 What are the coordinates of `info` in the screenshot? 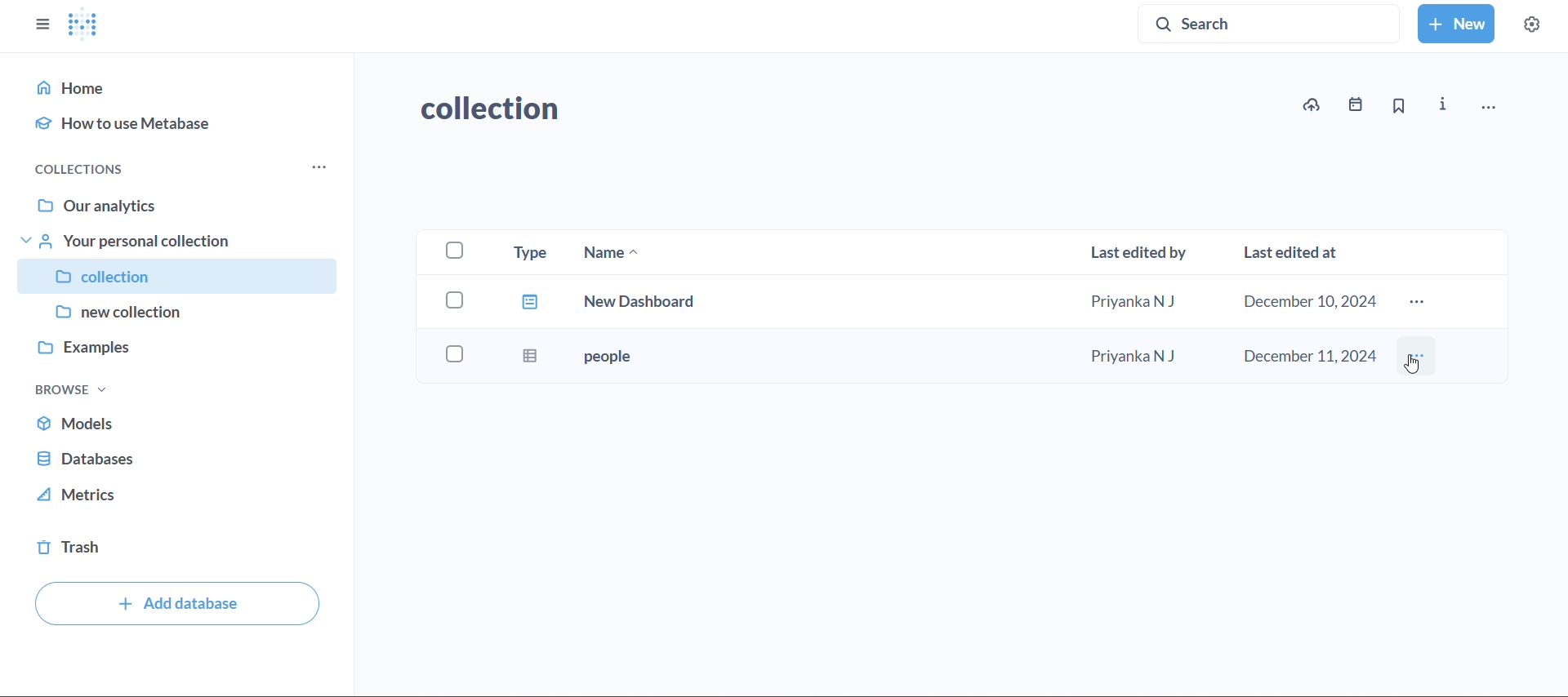 It's located at (1441, 106).